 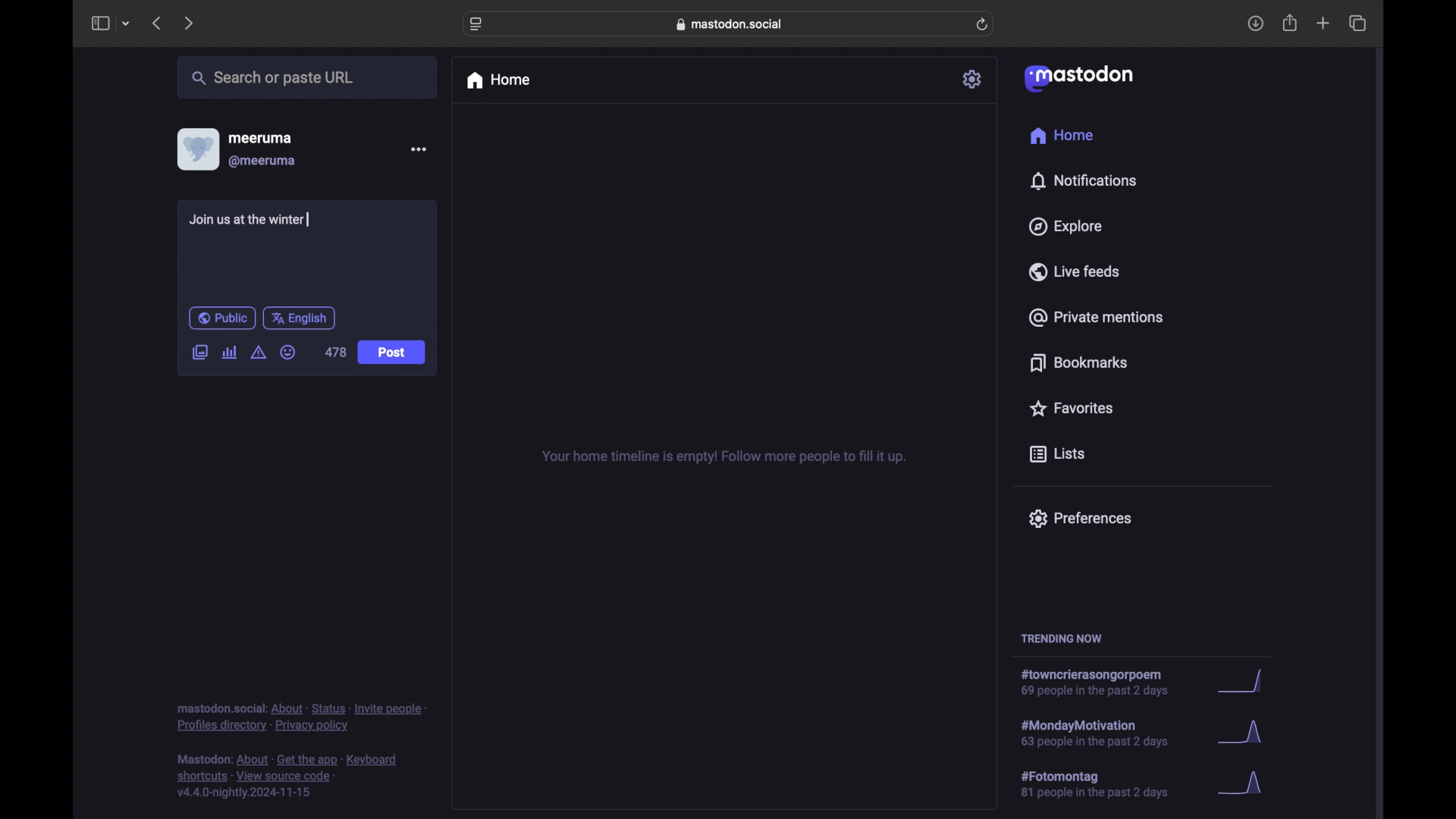 What do you see at coordinates (335, 352) in the screenshot?
I see `478` at bounding box center [335, 352].